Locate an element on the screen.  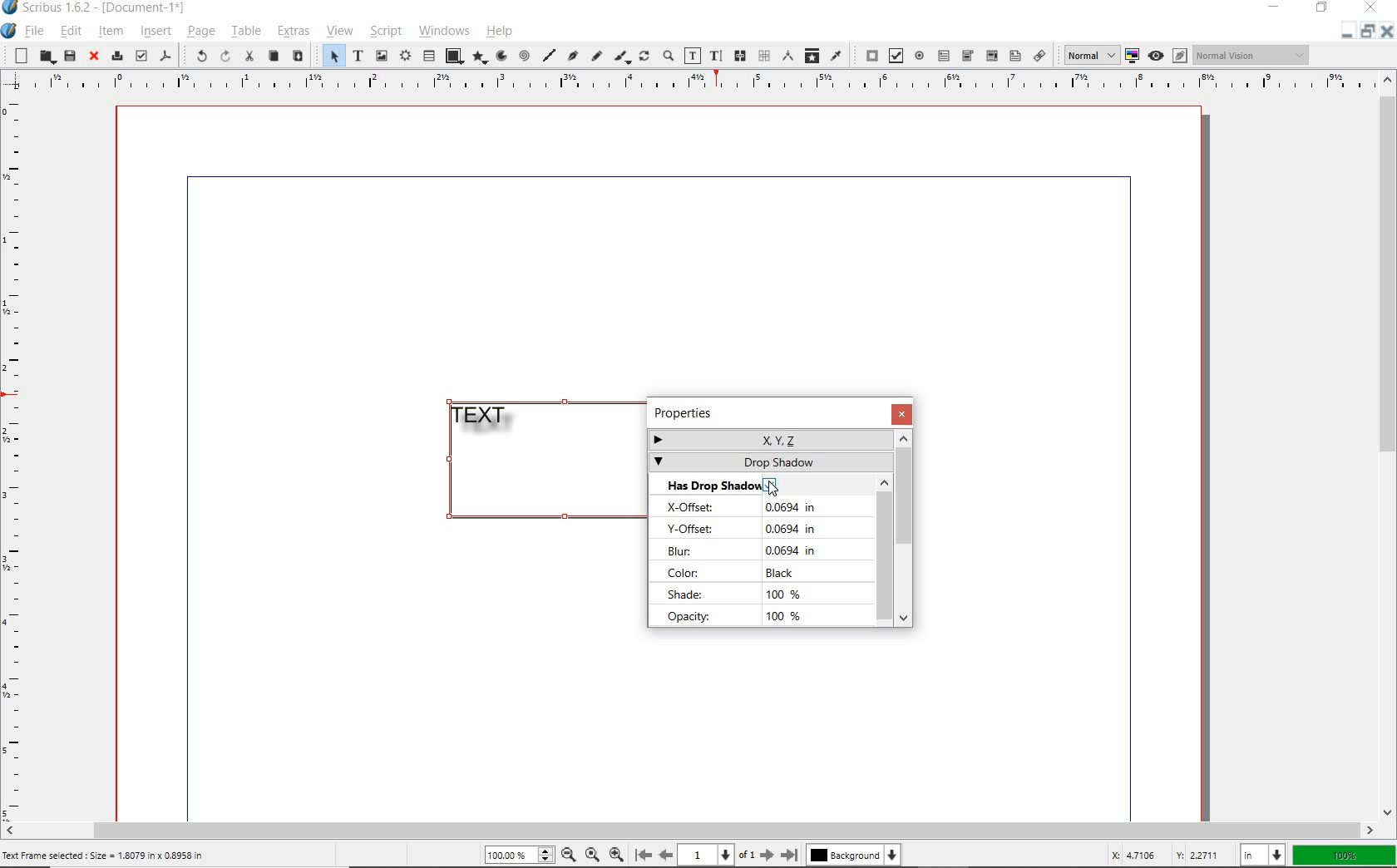
unlink text frames is located at coordinates (764, 57).